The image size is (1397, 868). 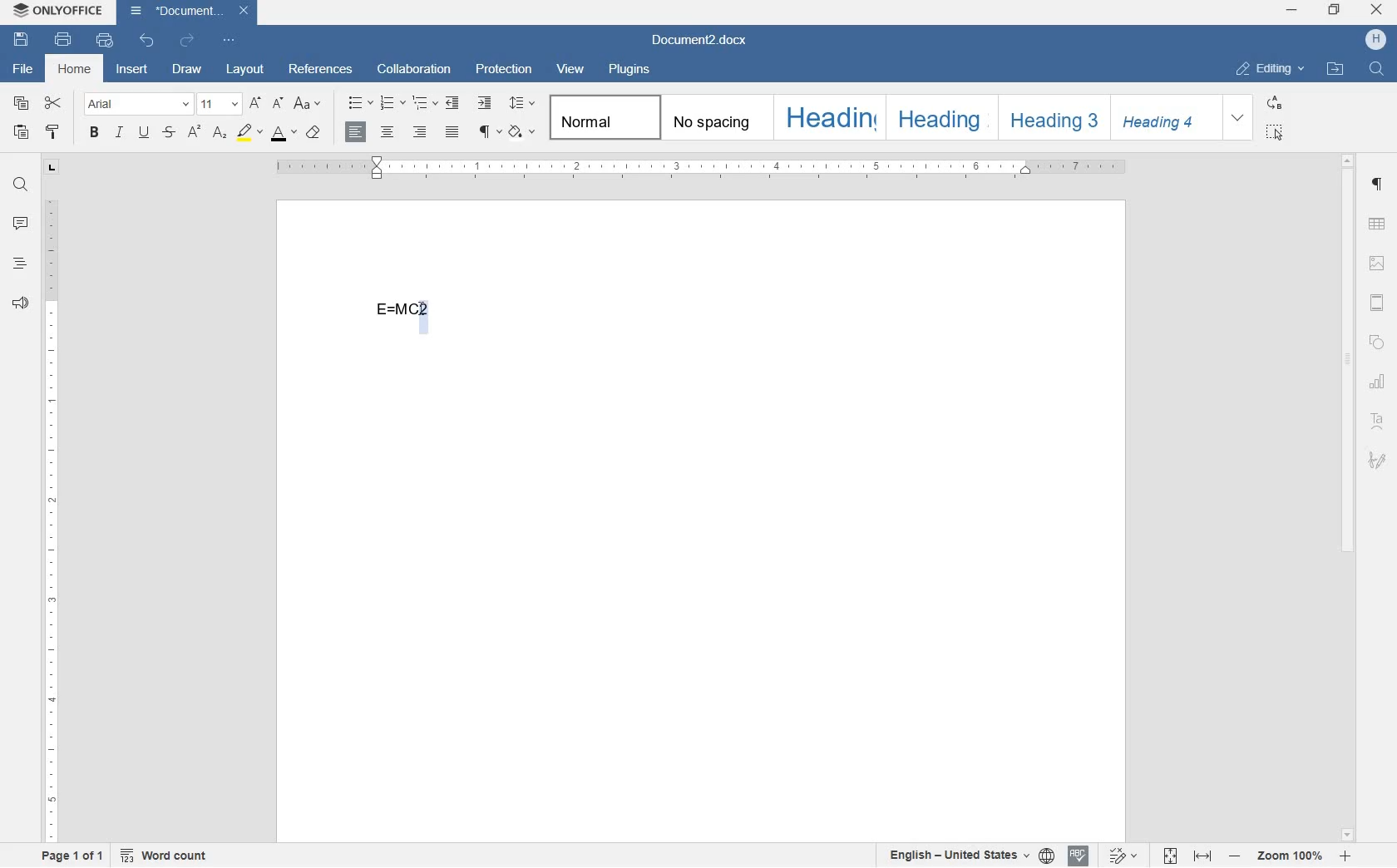 What do you see at coordinates (972, 856) in the screenshot?
I see `text or document language` at bounding box center [972, 856].